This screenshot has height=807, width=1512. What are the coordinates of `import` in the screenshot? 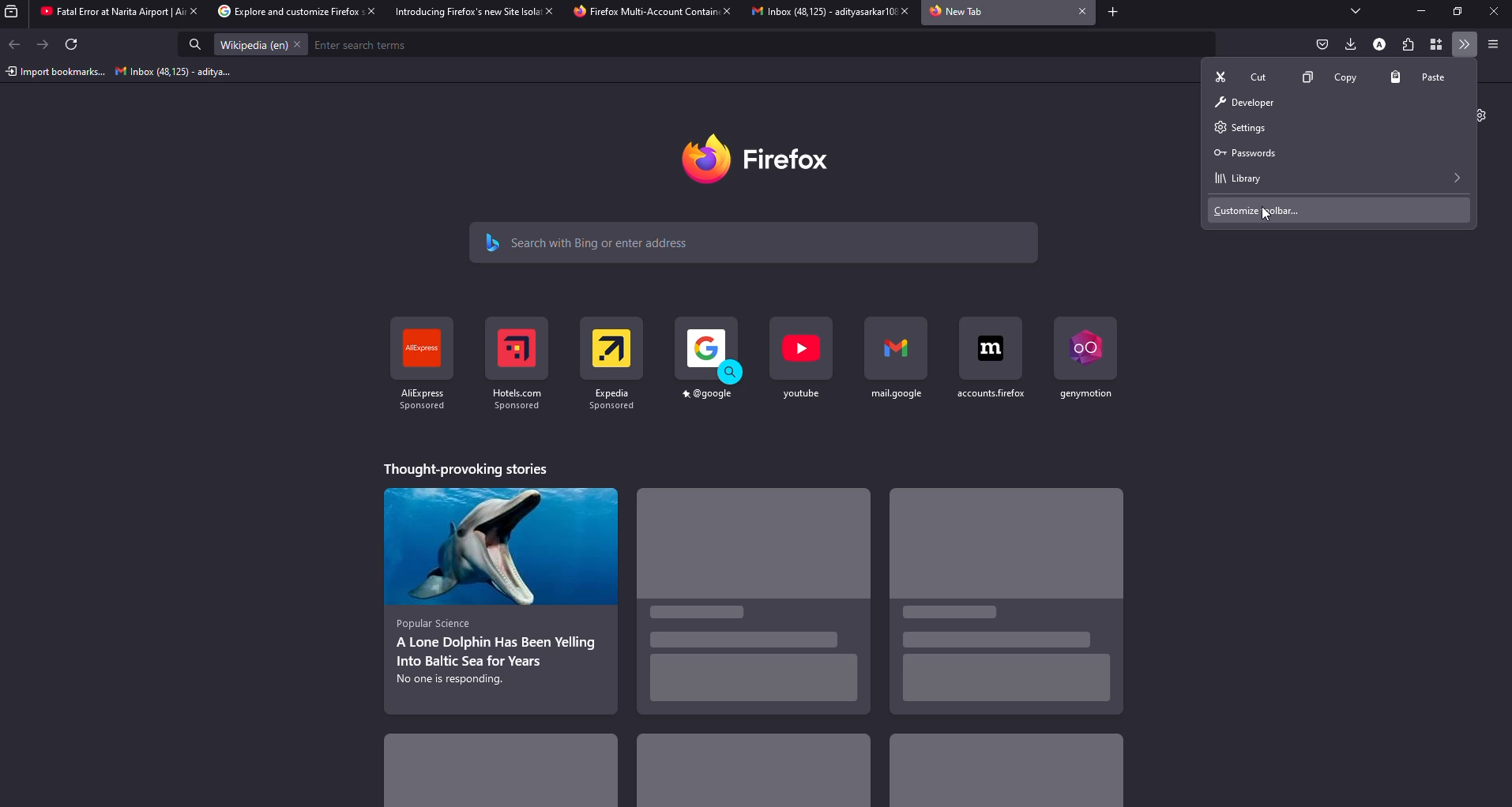 It's located at (55, 72).